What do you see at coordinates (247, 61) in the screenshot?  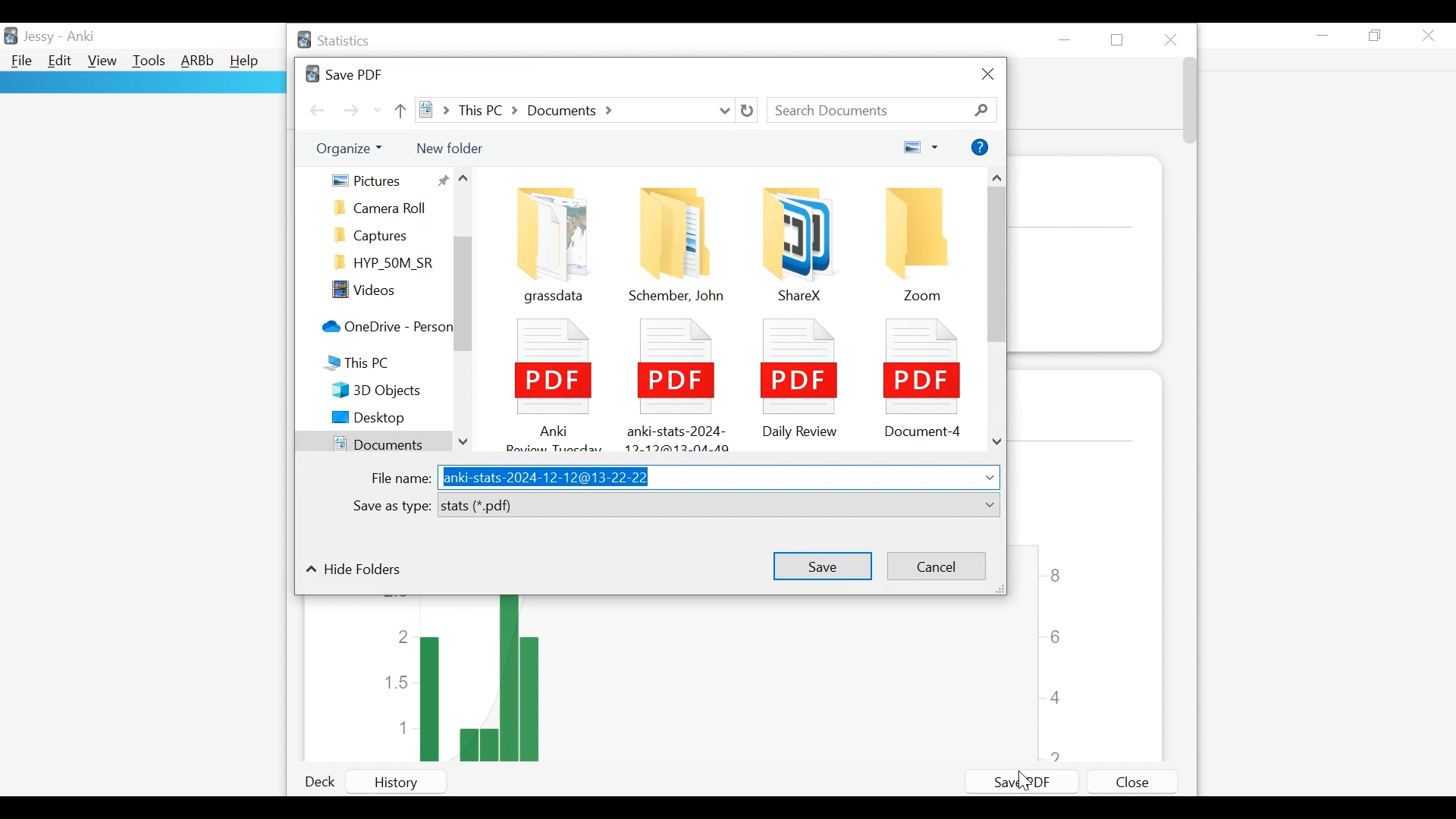 I see `Help` at bounding box center [247, 61].